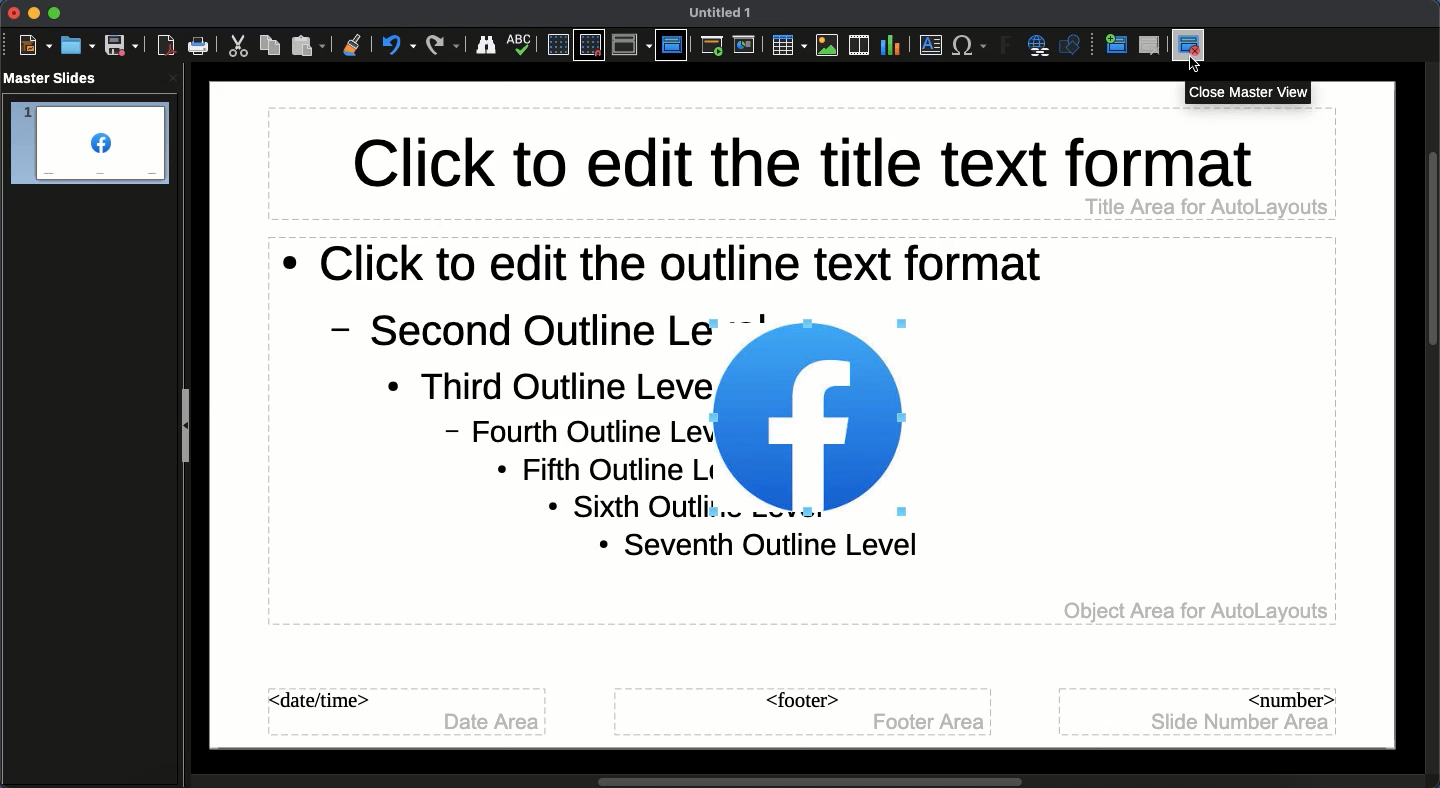  I want to click on New master, so click(1117, 43).